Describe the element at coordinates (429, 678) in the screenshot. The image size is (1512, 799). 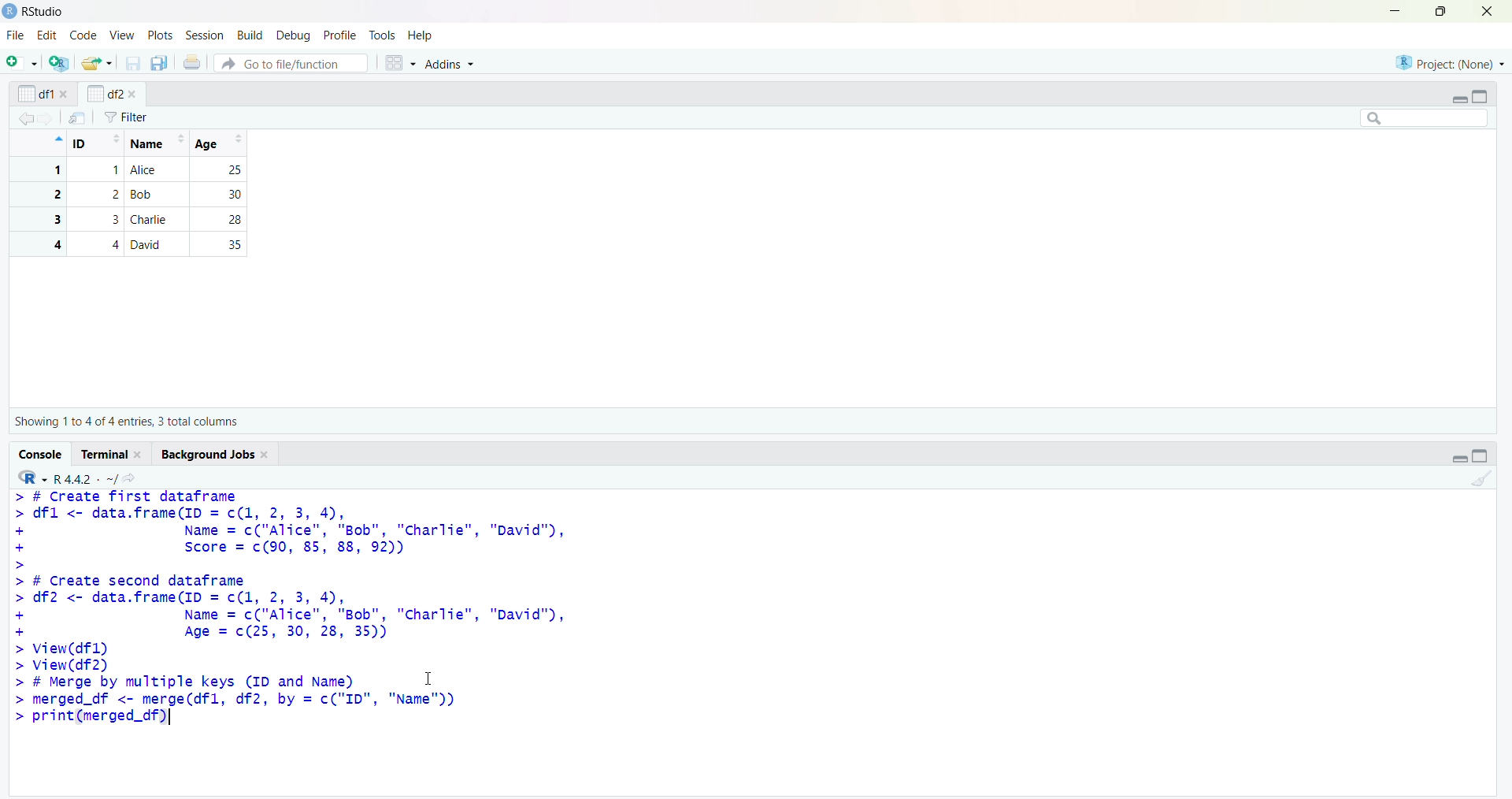
I see `cursor` at that location.